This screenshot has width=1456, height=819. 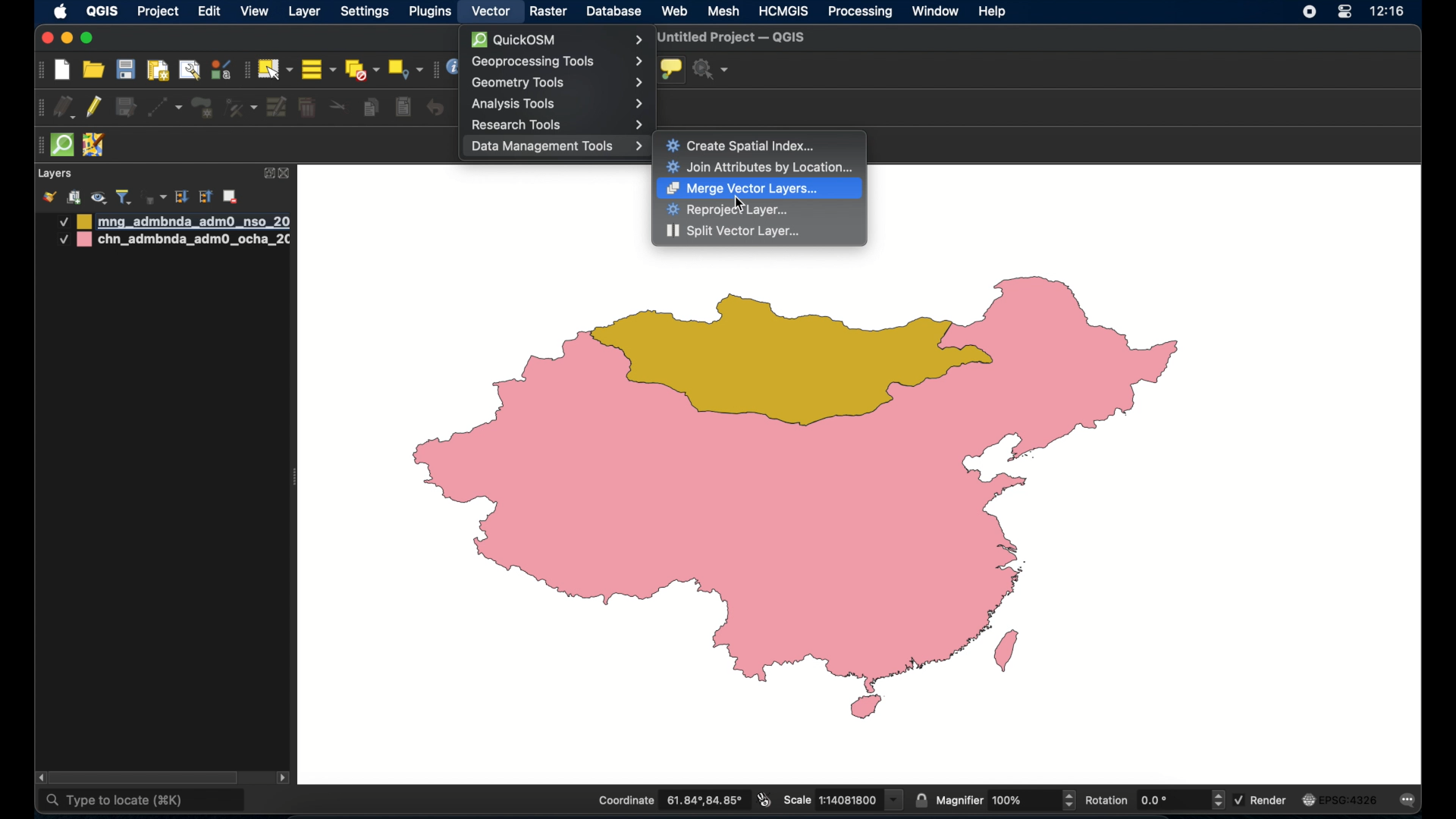 I want to click on cursor, so click(x=740, y=203).